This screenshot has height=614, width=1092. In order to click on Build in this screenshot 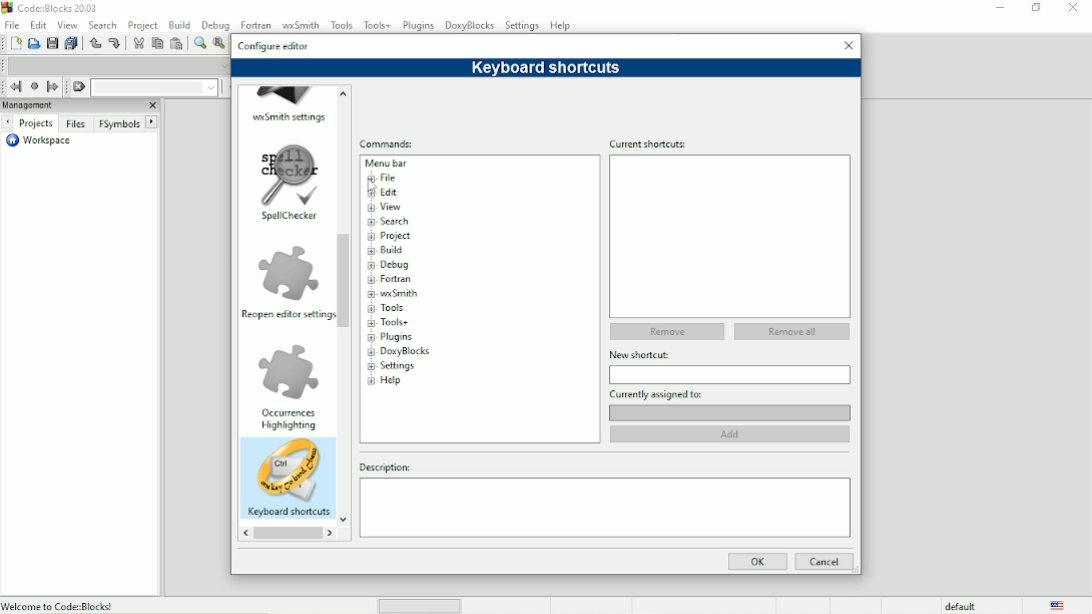, I will do `click(392, 250)`.